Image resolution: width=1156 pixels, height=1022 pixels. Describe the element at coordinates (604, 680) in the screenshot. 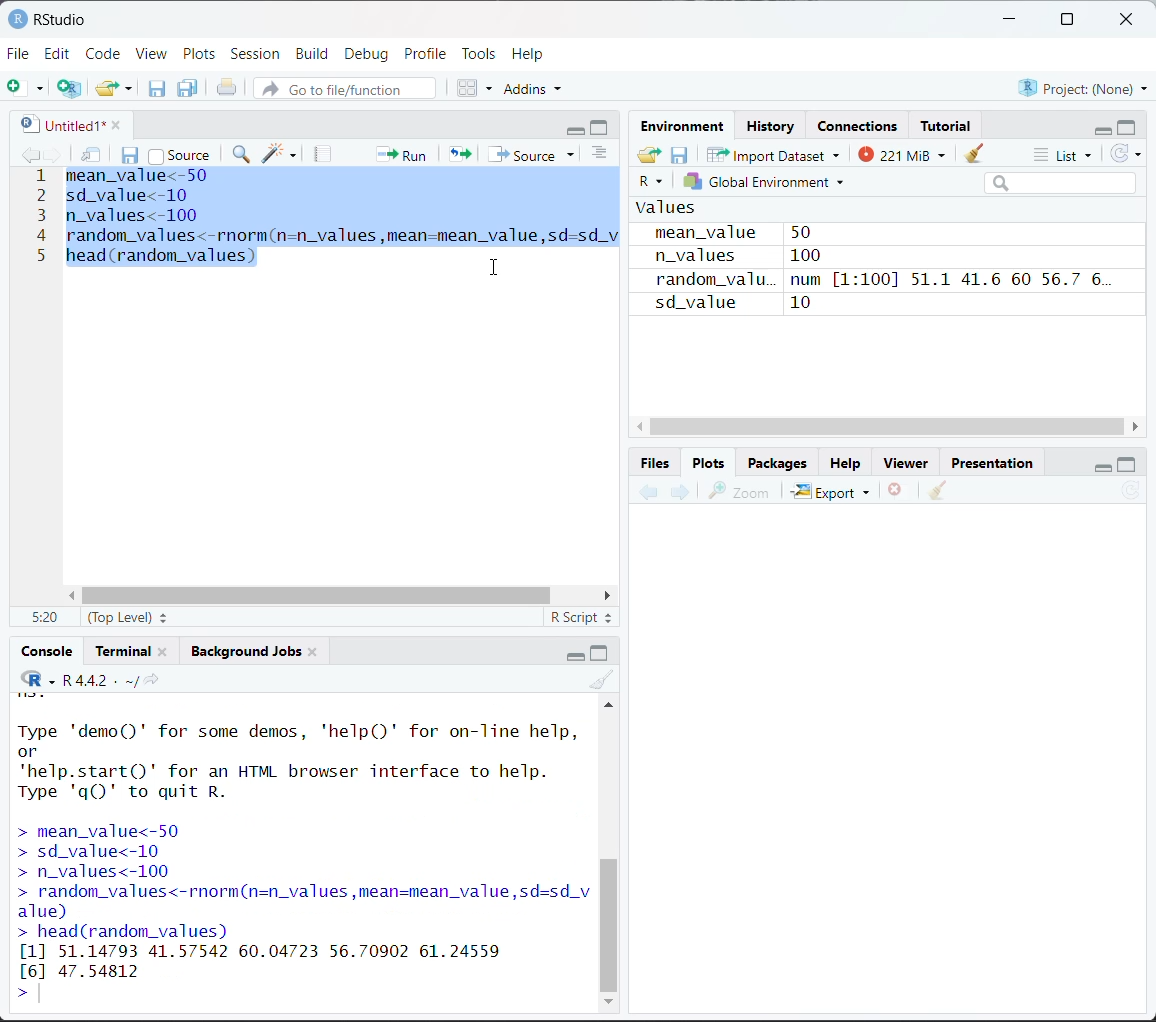

I see `clear console` at that location.